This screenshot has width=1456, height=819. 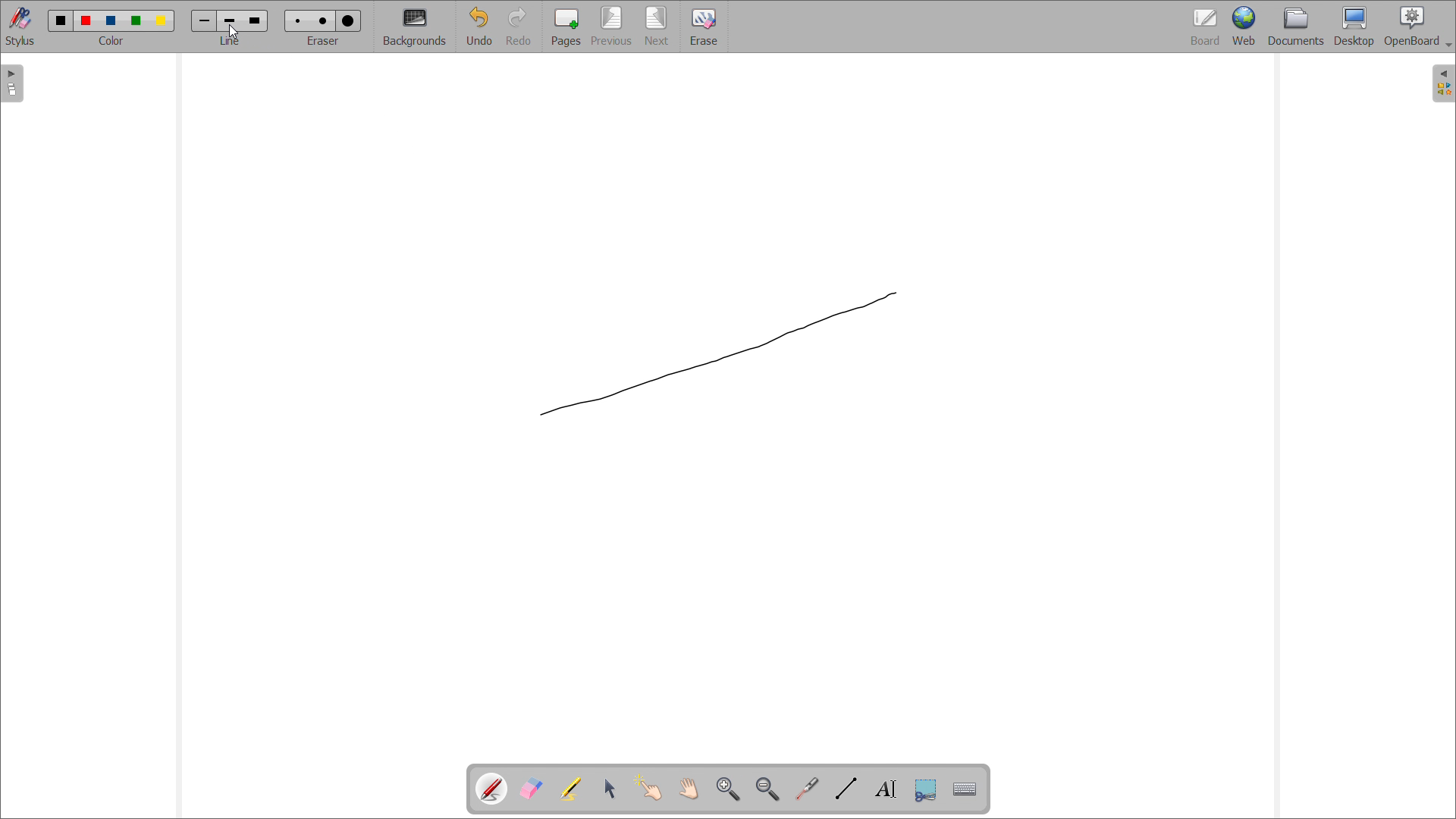 What do you see at coordinates (415, 26) in the screenshot?
I see `backgrounds` at bounding box center [415, 26].